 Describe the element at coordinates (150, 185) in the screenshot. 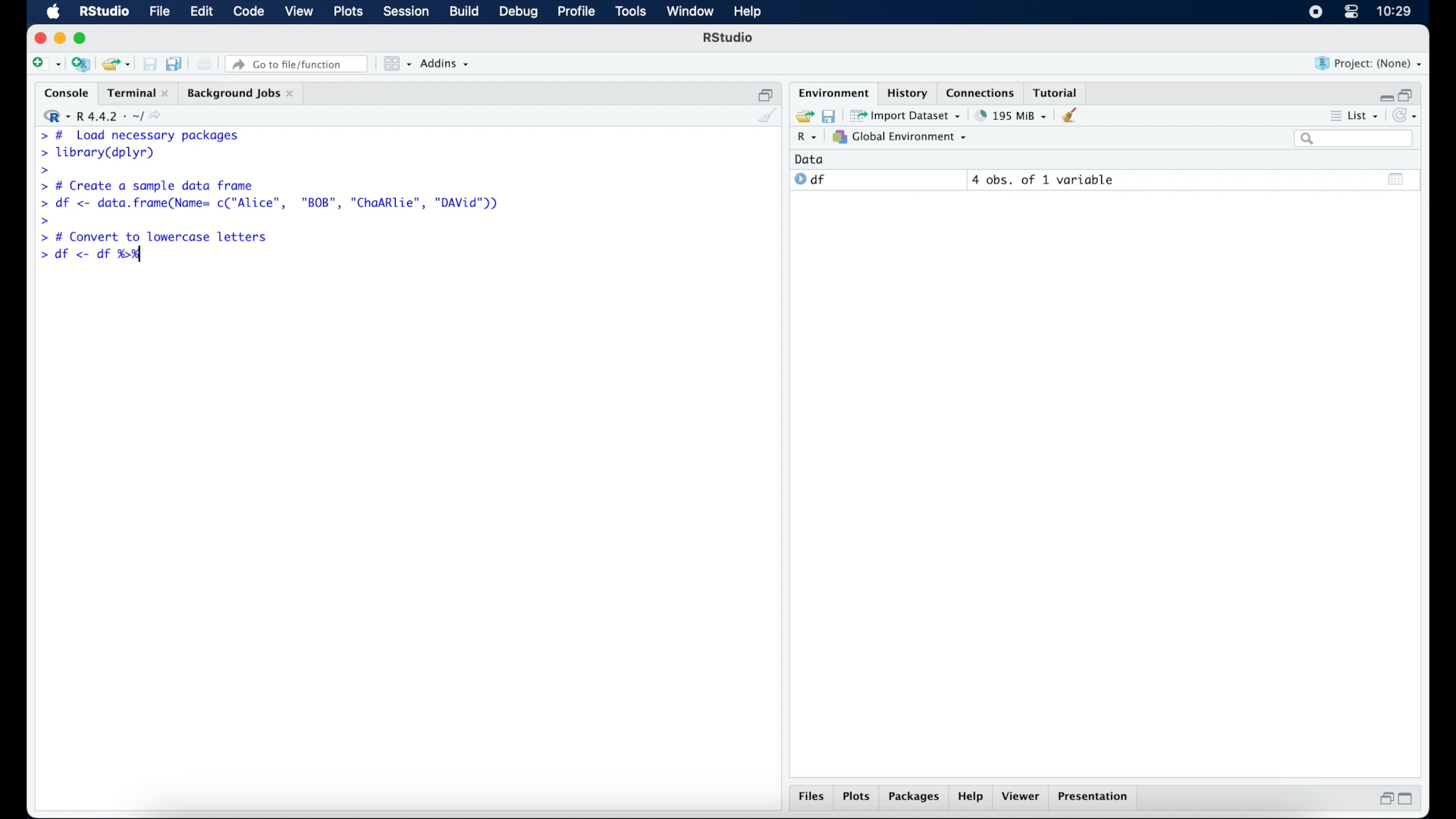

I see `> # Create a sample data frame]` at that location.